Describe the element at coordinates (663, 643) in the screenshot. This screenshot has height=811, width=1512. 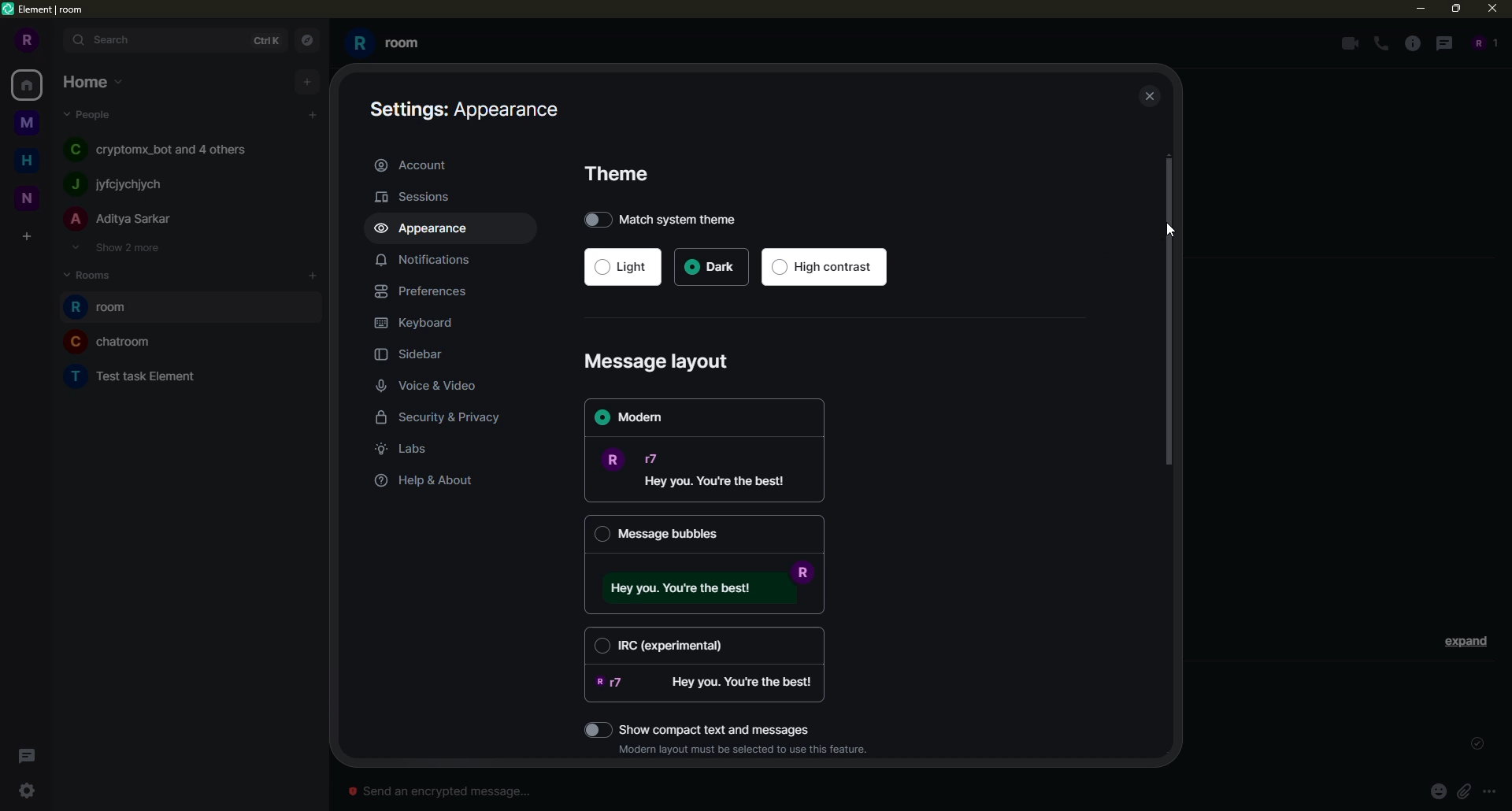
I see `irc` at that location.